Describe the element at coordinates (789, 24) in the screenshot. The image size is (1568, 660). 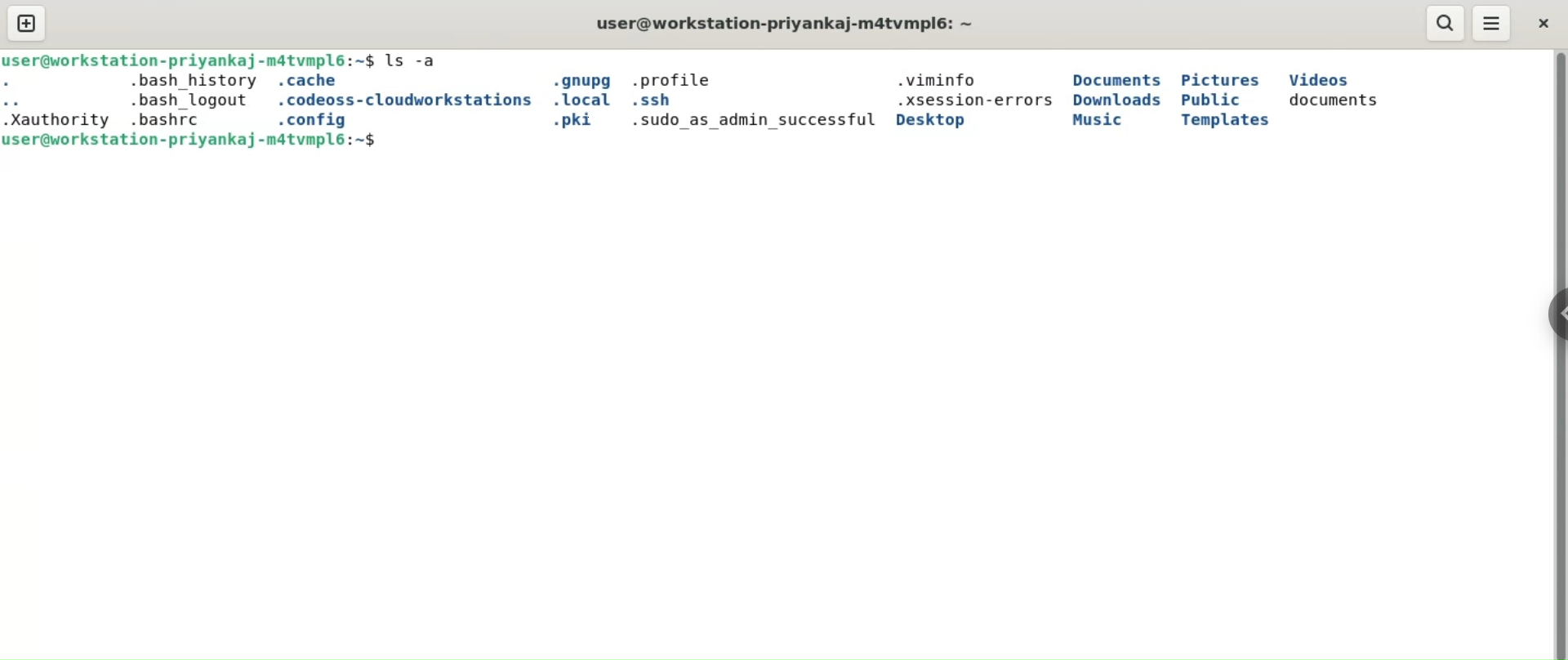
I see `user@workstation-priyankaj-m4tvmpl6: ~` at that location.